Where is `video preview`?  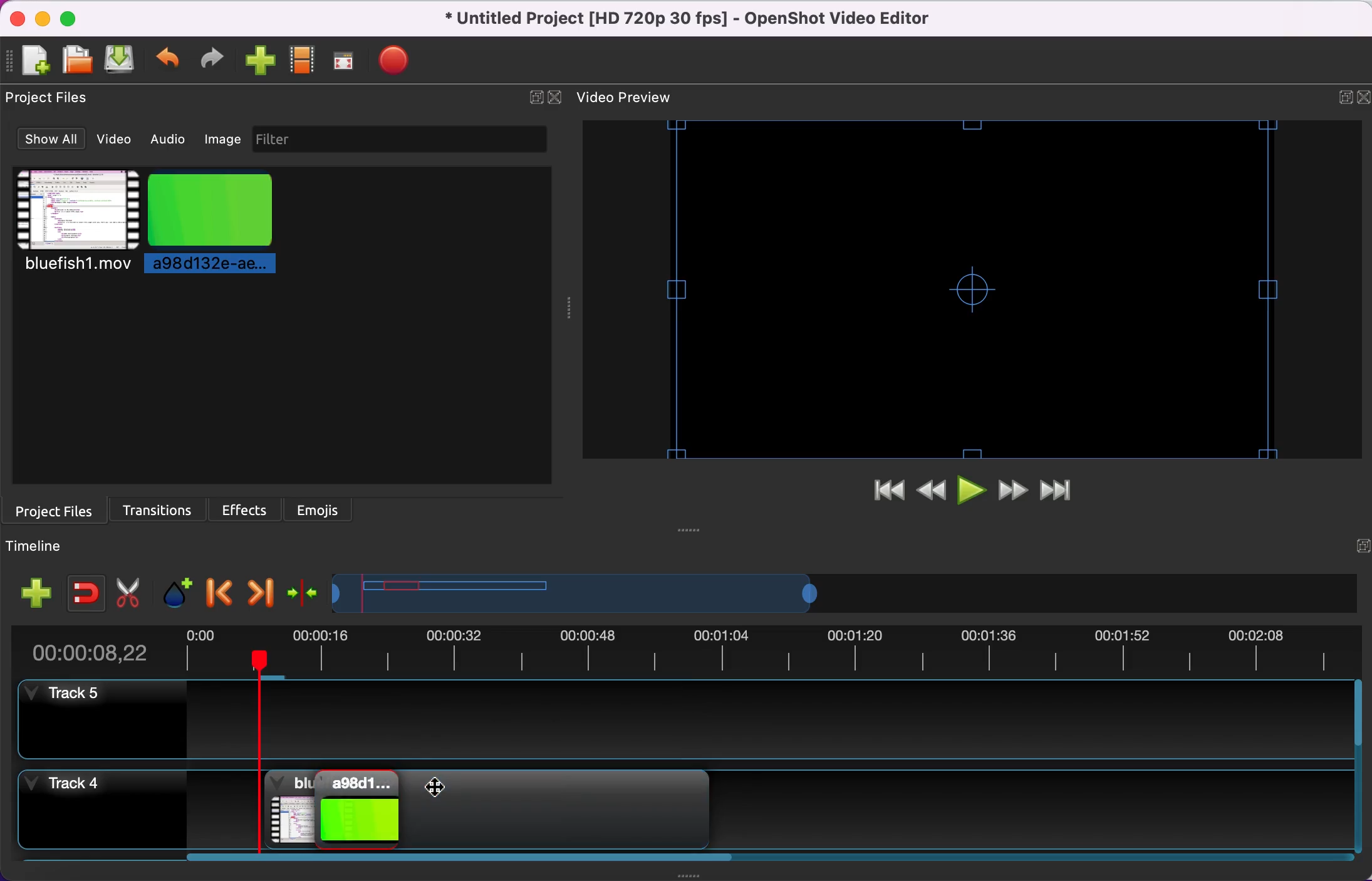 video preview is located at coordinates (637, 98).